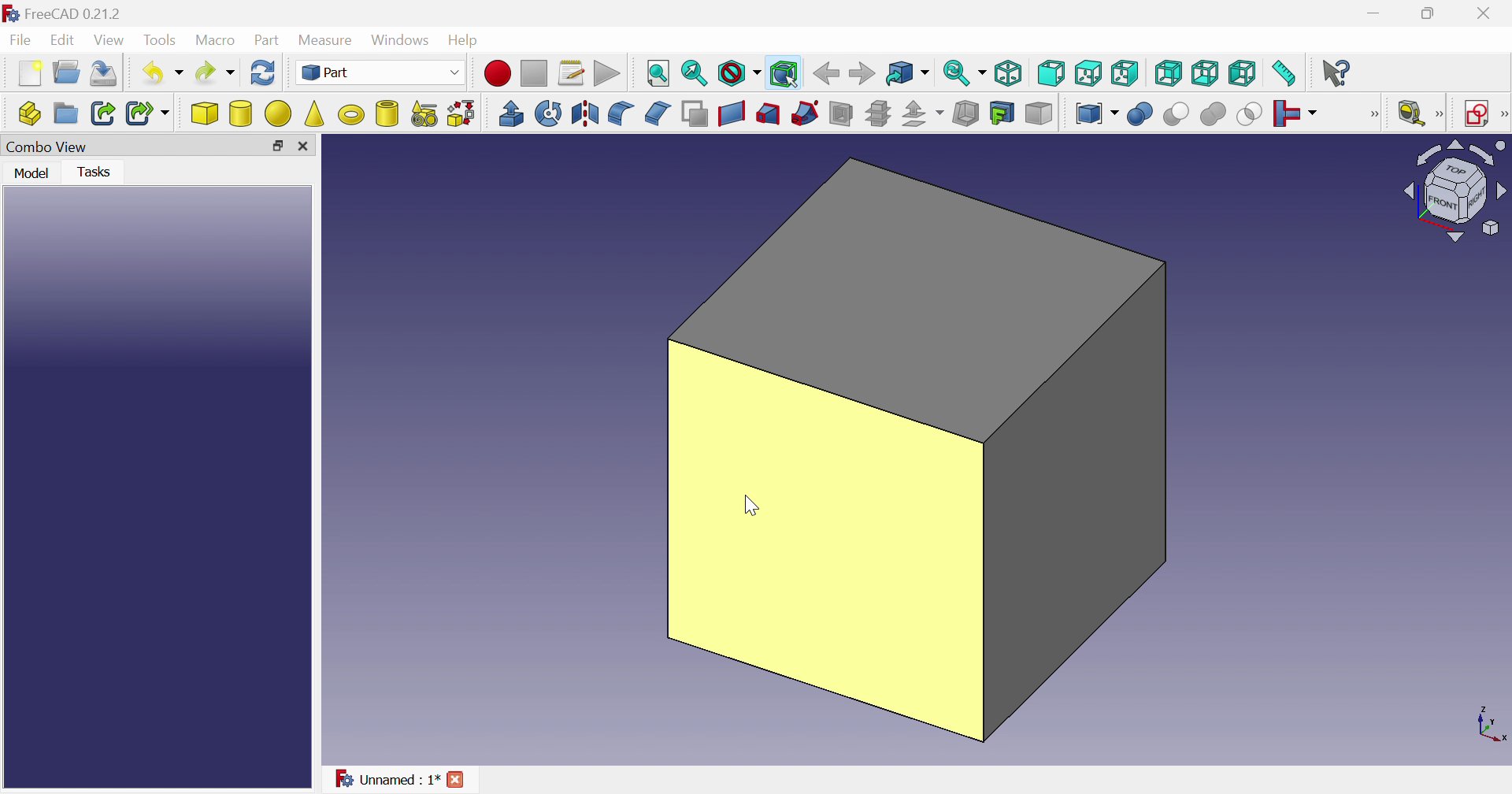 This screenshot has width=1512, height=794. What do you see at coordinates (29, 116) in the screenshot?
I see `Create part` at bounding box center [29, 116].